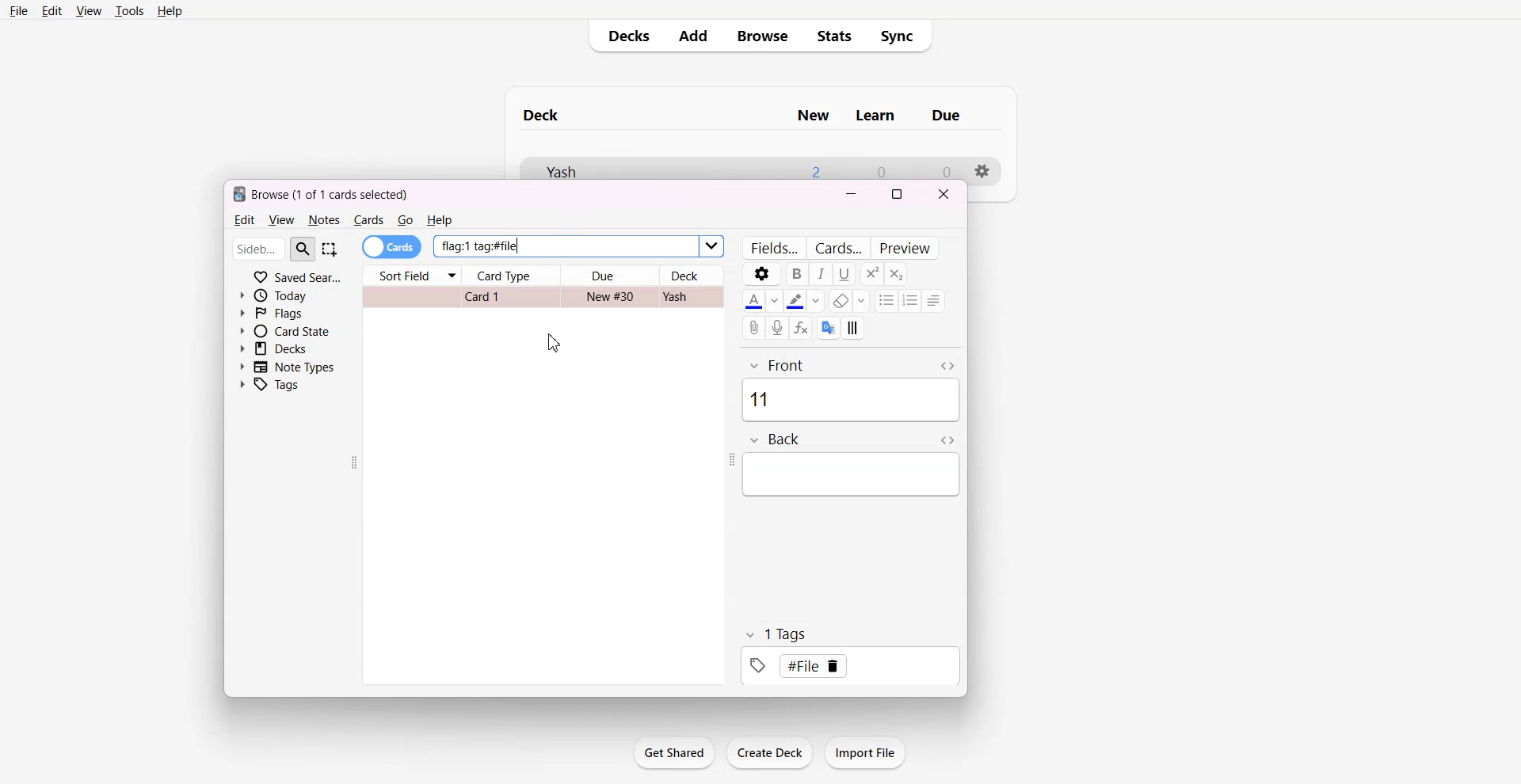 This screenshot has width=1521, height=784. I want to click on Deck, so click(691, 275).